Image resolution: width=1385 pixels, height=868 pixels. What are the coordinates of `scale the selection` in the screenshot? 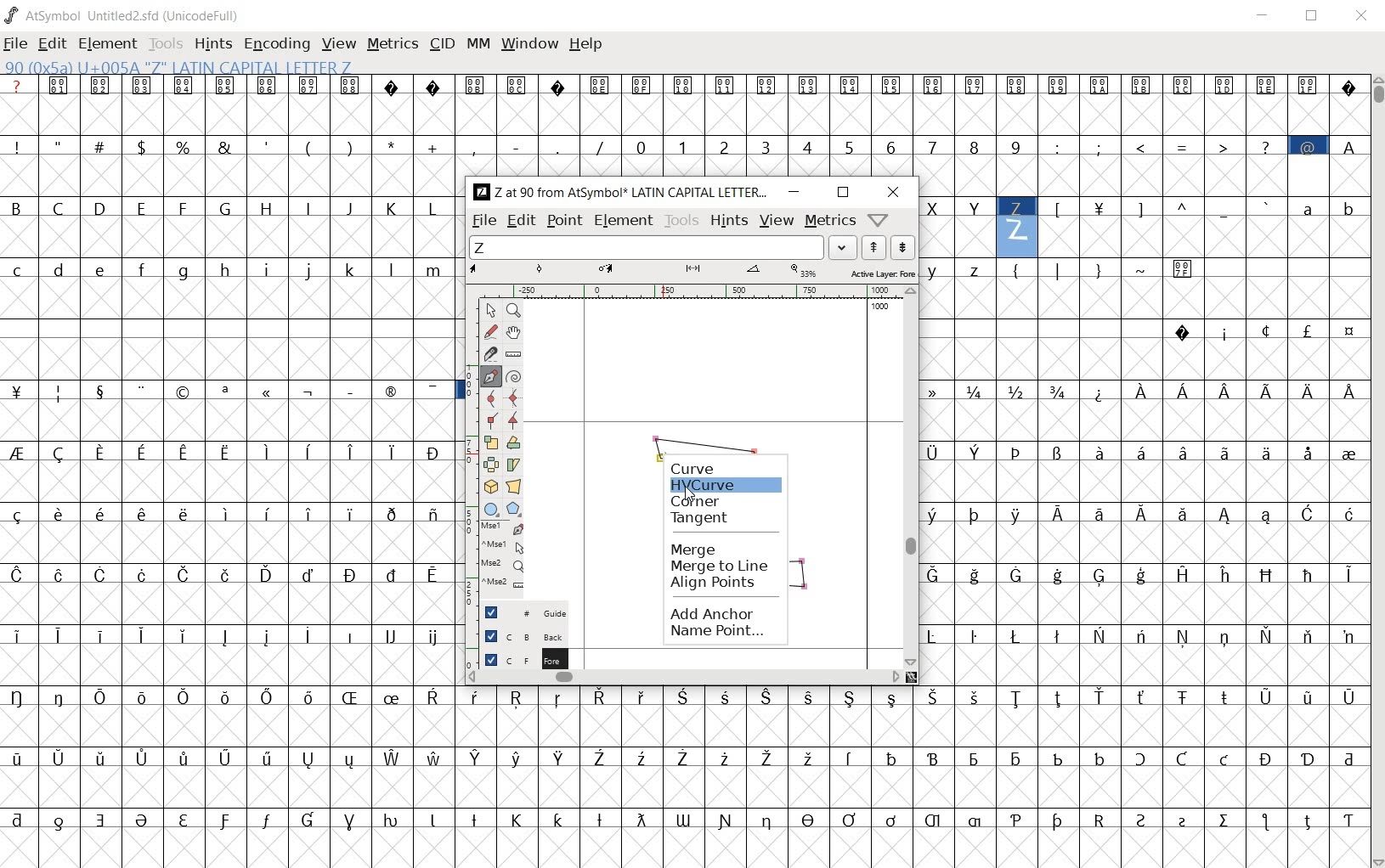 It's located at (489, 443).